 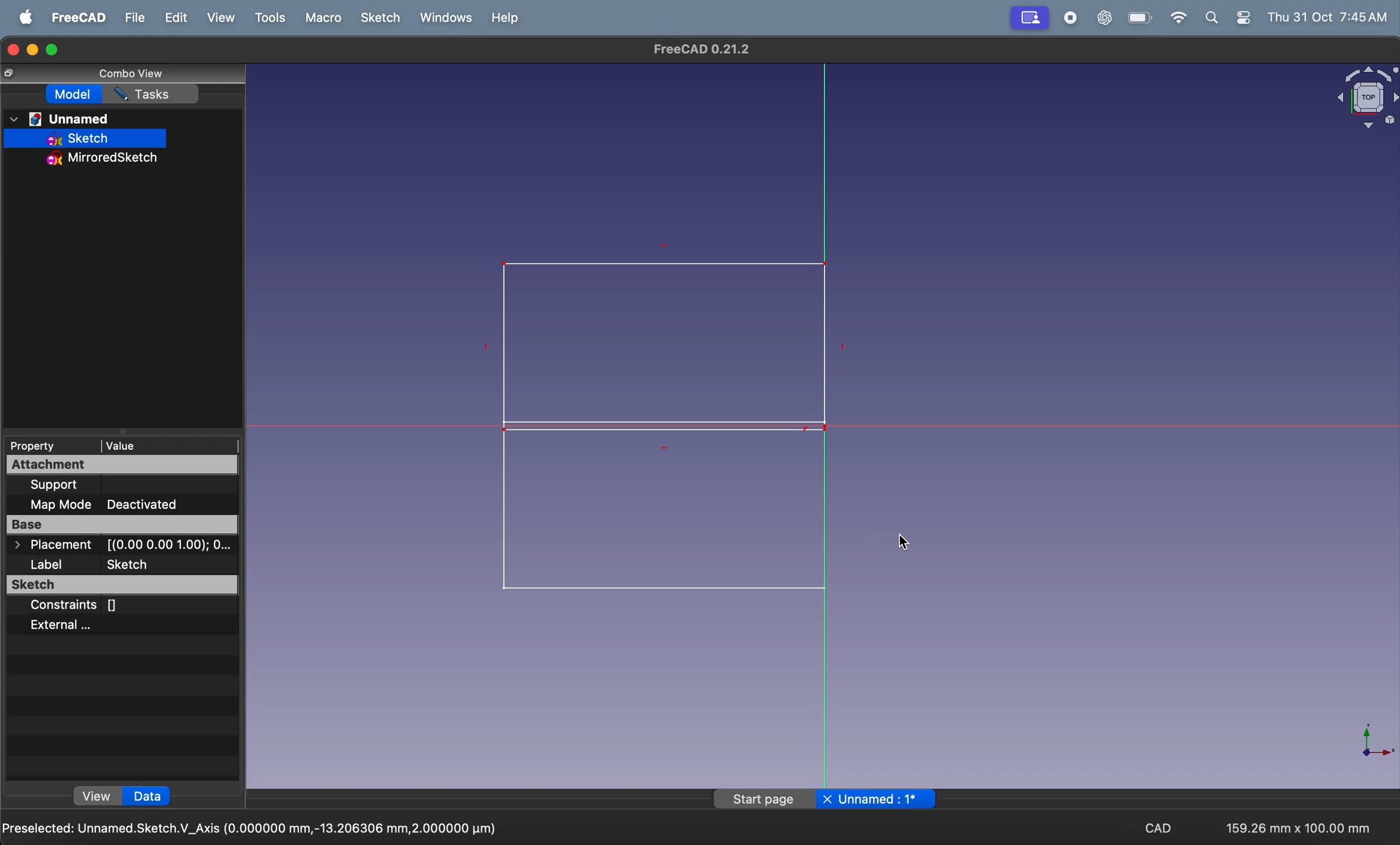 I want to click on sketch, so click(x=380, y=19).